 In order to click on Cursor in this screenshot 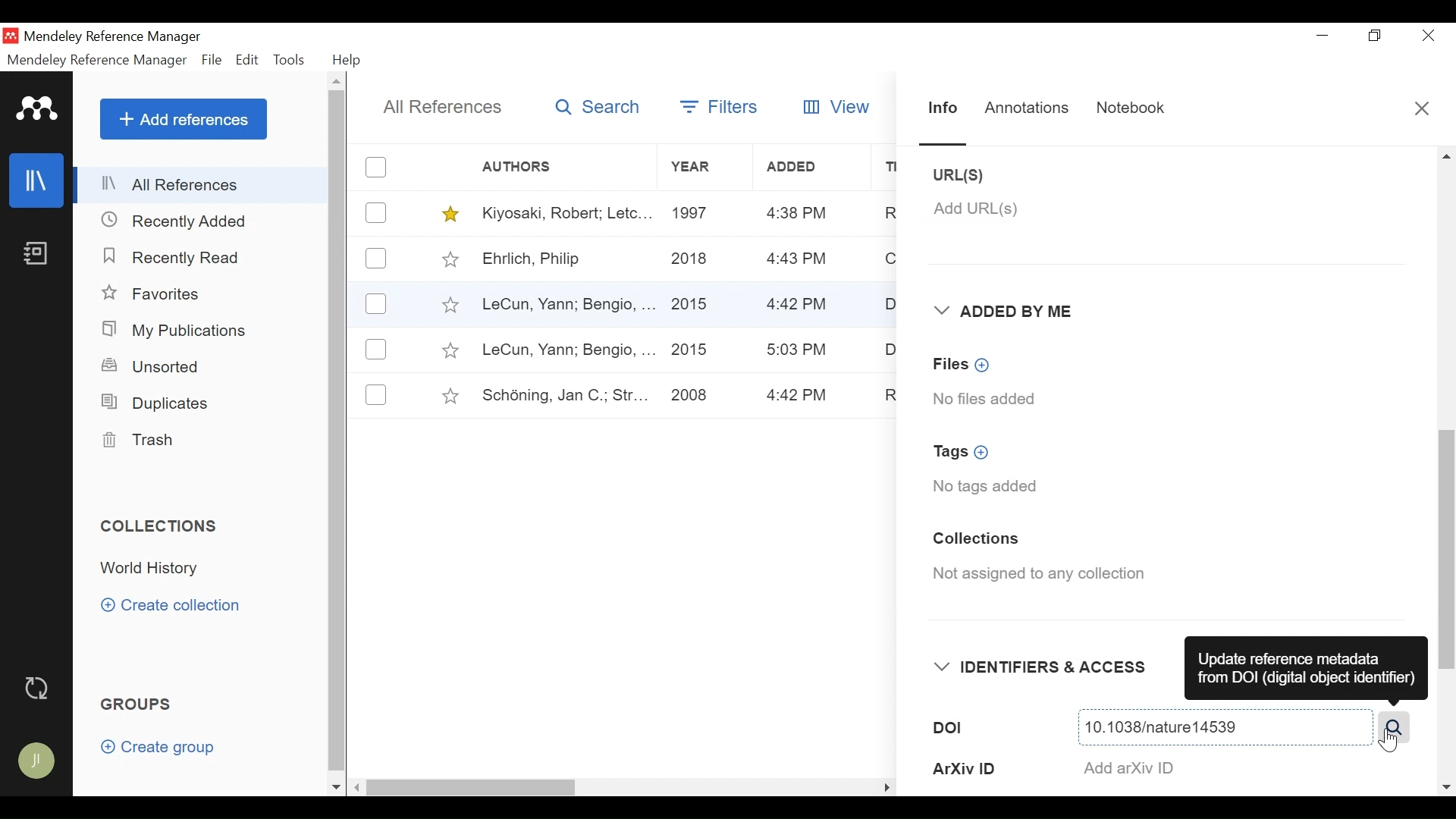, I will do `click(1387, 741)`.